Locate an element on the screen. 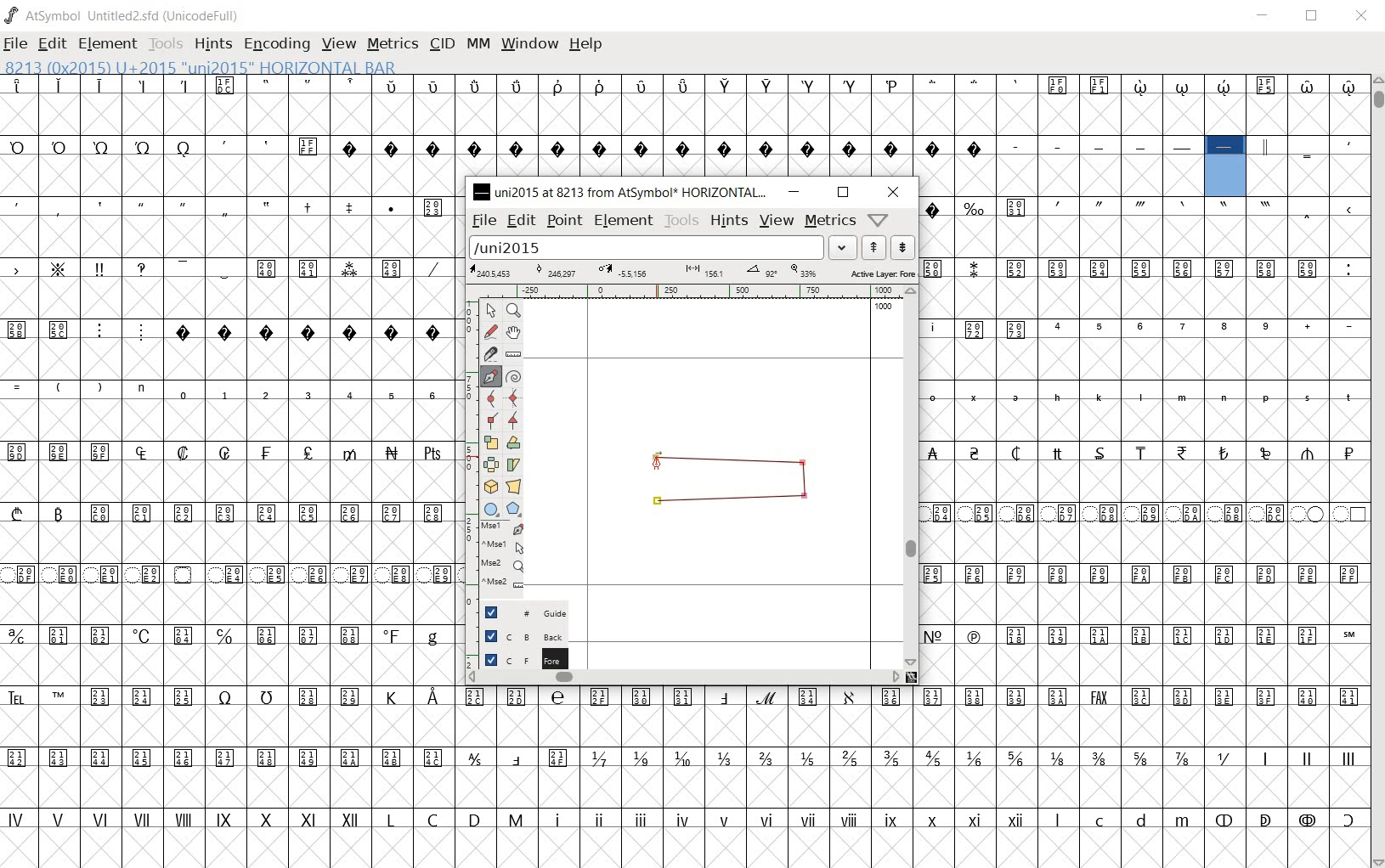  TOOLS is located at coordinates (168, 45).